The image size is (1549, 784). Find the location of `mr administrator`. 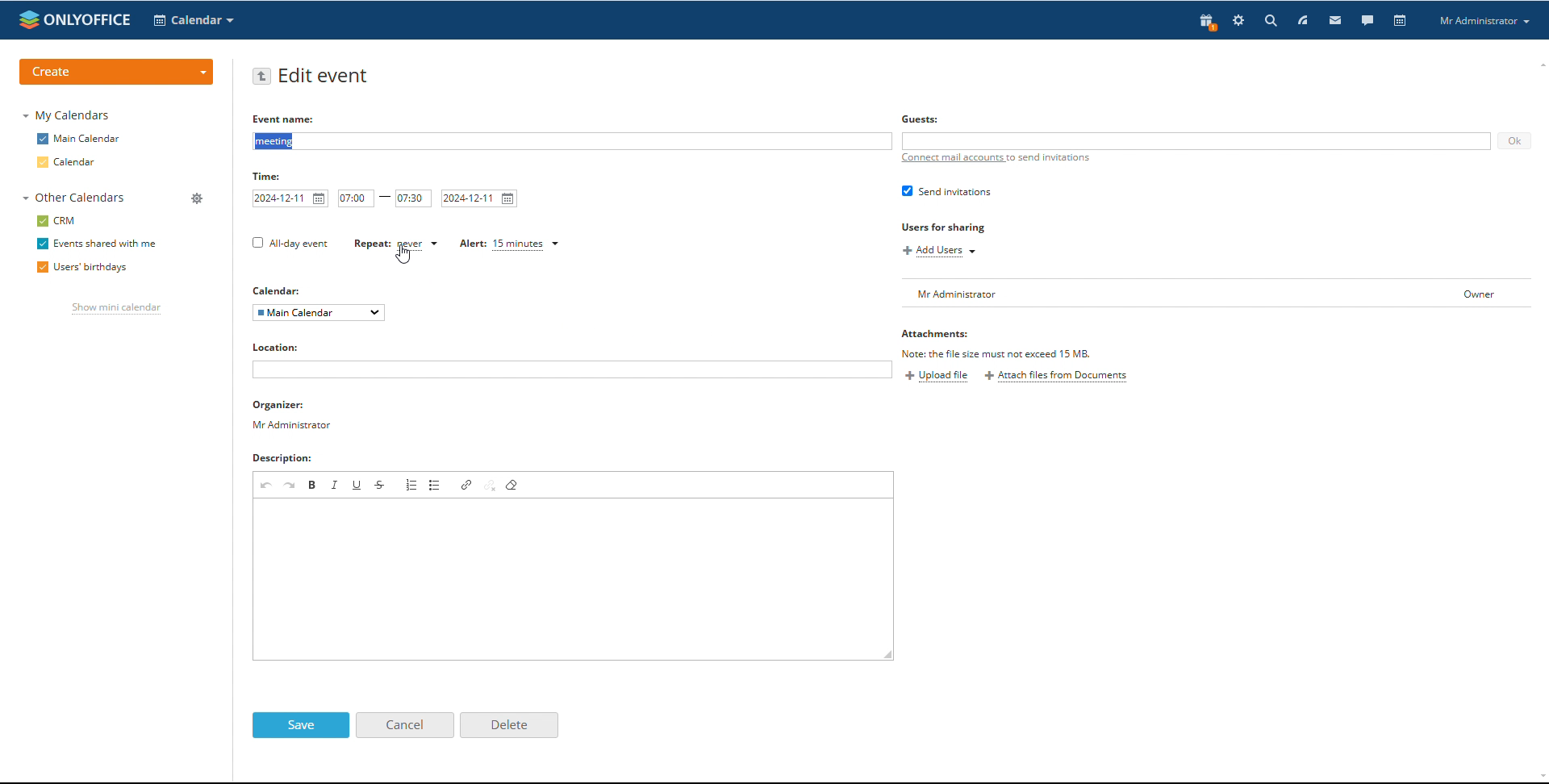

mr administrator is located at coordinates (297, 428).